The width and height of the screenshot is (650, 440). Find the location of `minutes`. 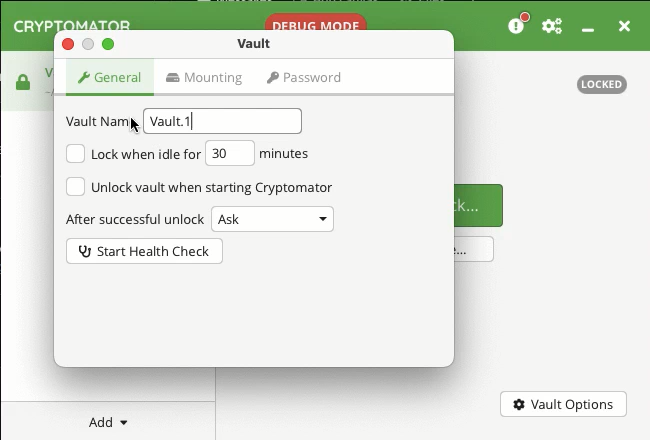

minutes is located at coordinates (288, 154).